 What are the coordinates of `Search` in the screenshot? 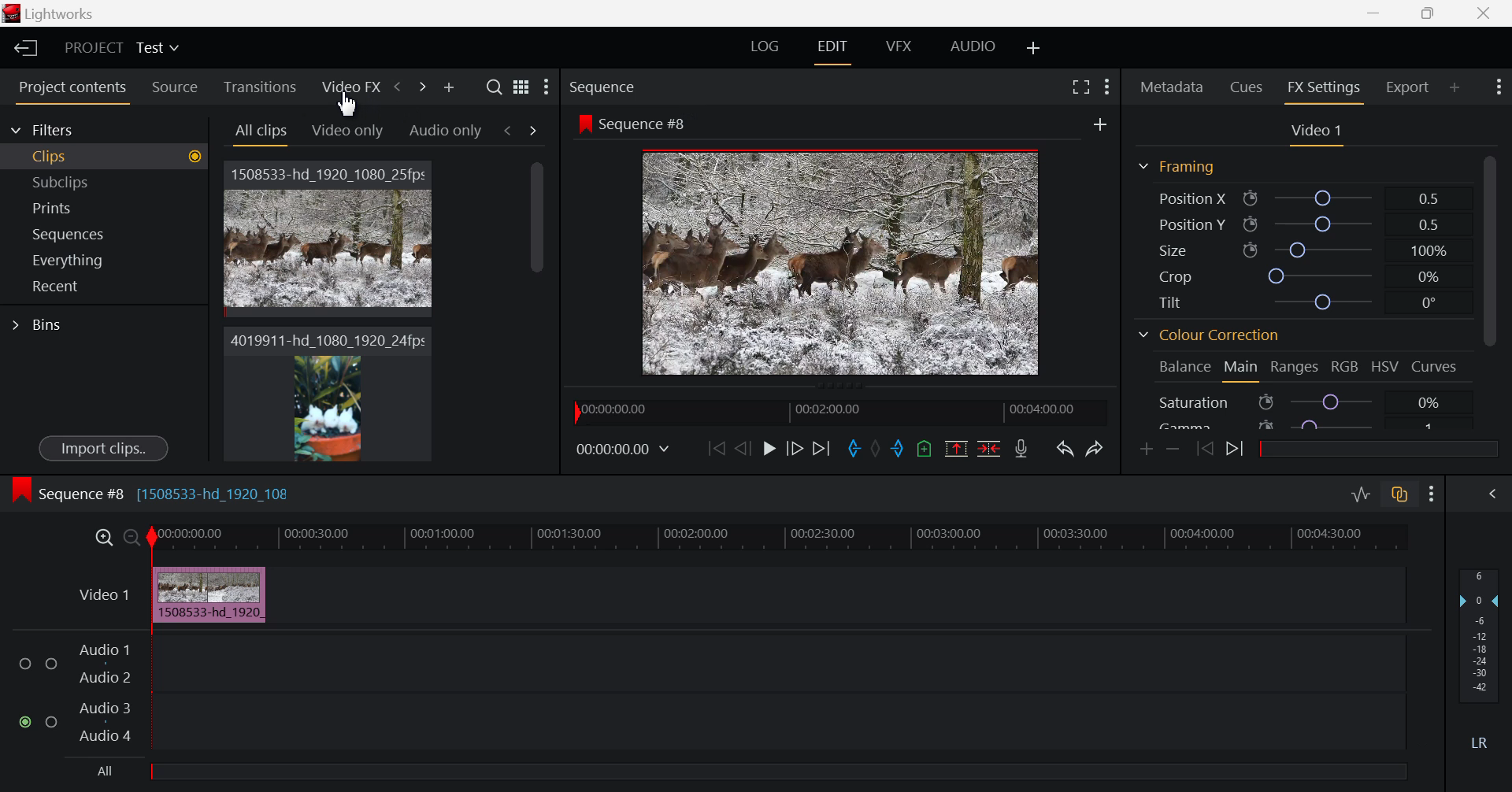 It's located at (495, 87).